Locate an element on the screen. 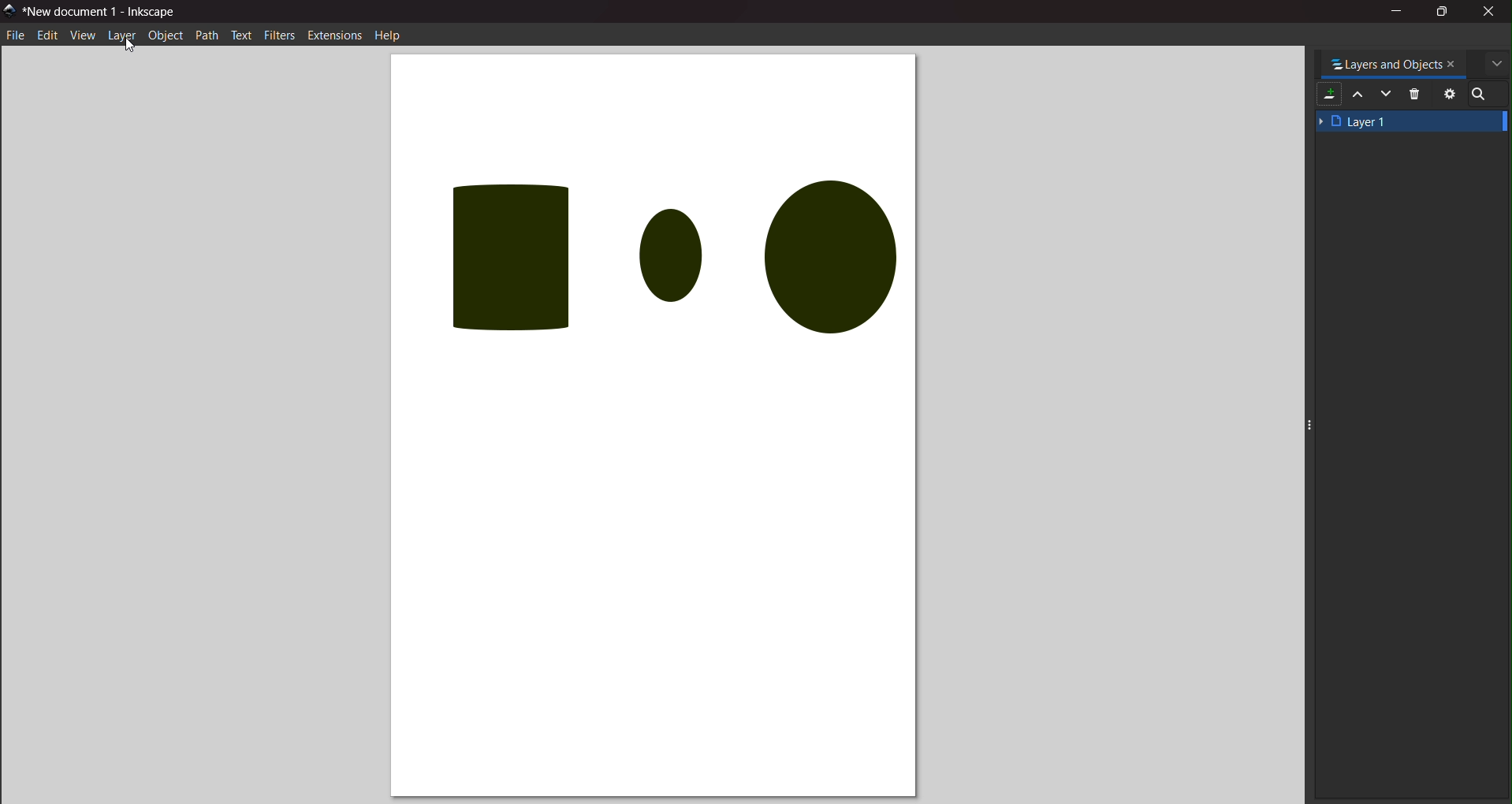 This screenshot has height=804, width=1512. tab name is located at coordinates (1387, 63).